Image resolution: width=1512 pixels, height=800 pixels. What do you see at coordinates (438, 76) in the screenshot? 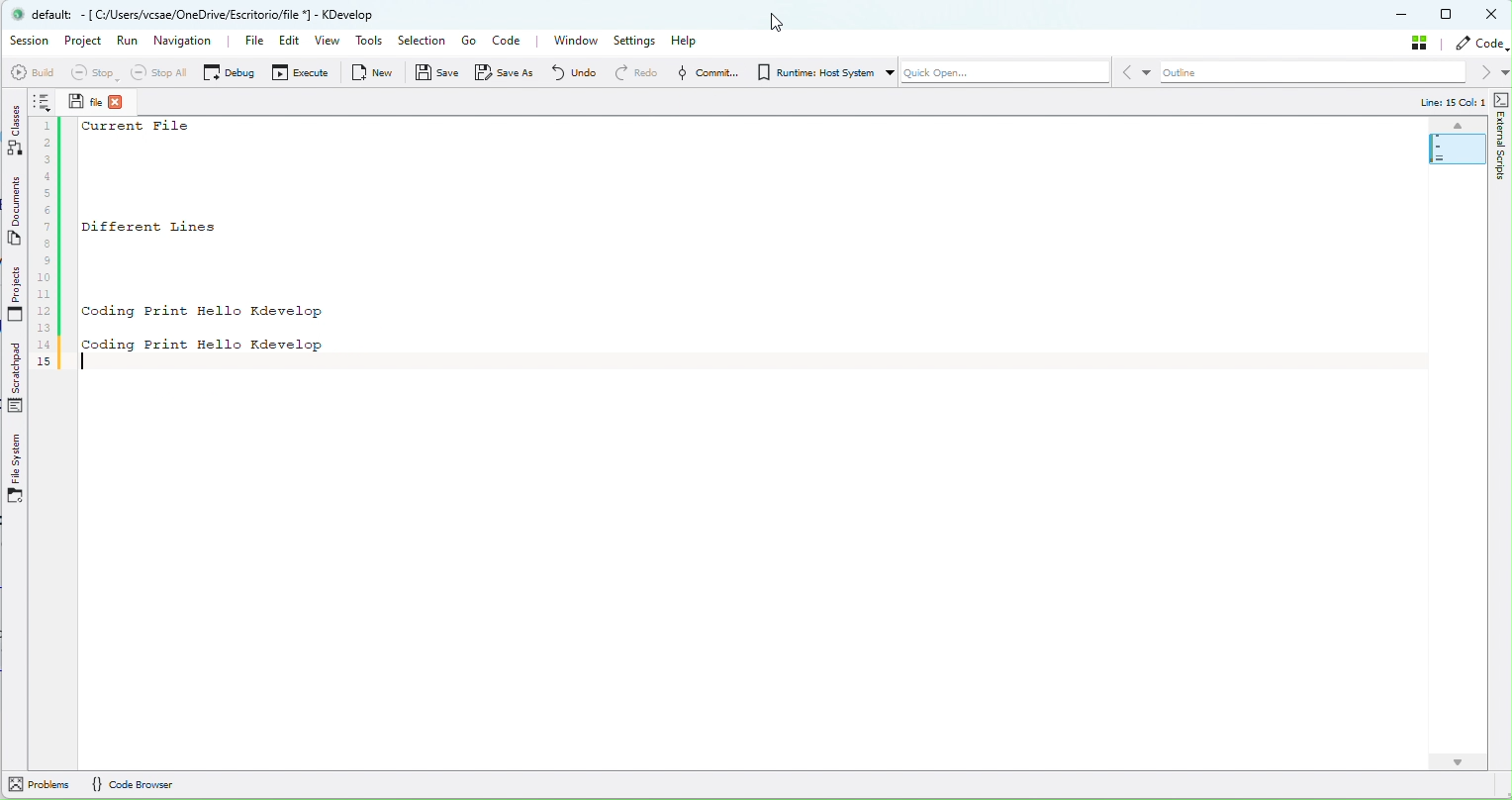
I see `Save` at bounding box center [438, 76].